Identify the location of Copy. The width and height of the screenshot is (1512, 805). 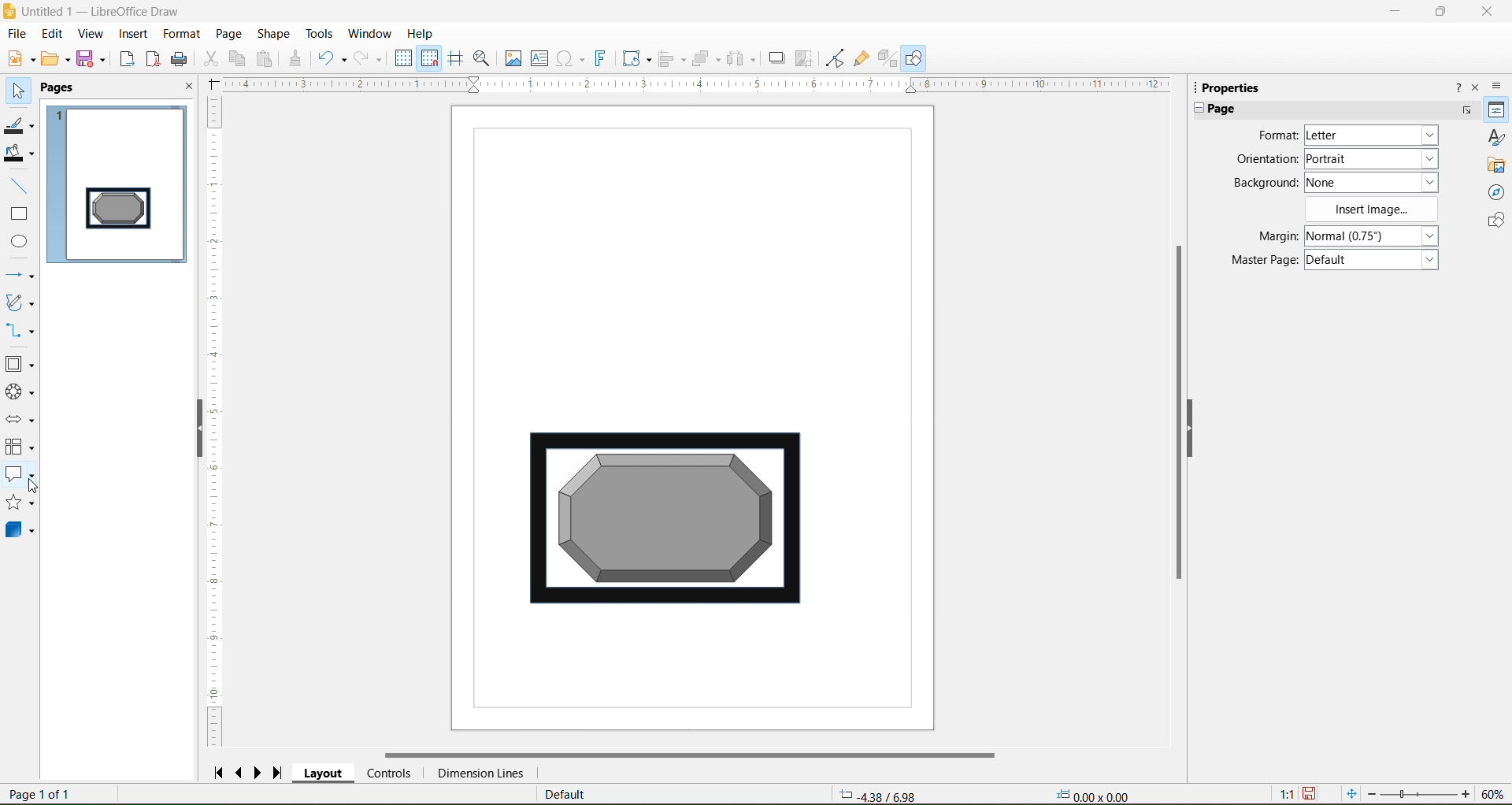
(238, 58).